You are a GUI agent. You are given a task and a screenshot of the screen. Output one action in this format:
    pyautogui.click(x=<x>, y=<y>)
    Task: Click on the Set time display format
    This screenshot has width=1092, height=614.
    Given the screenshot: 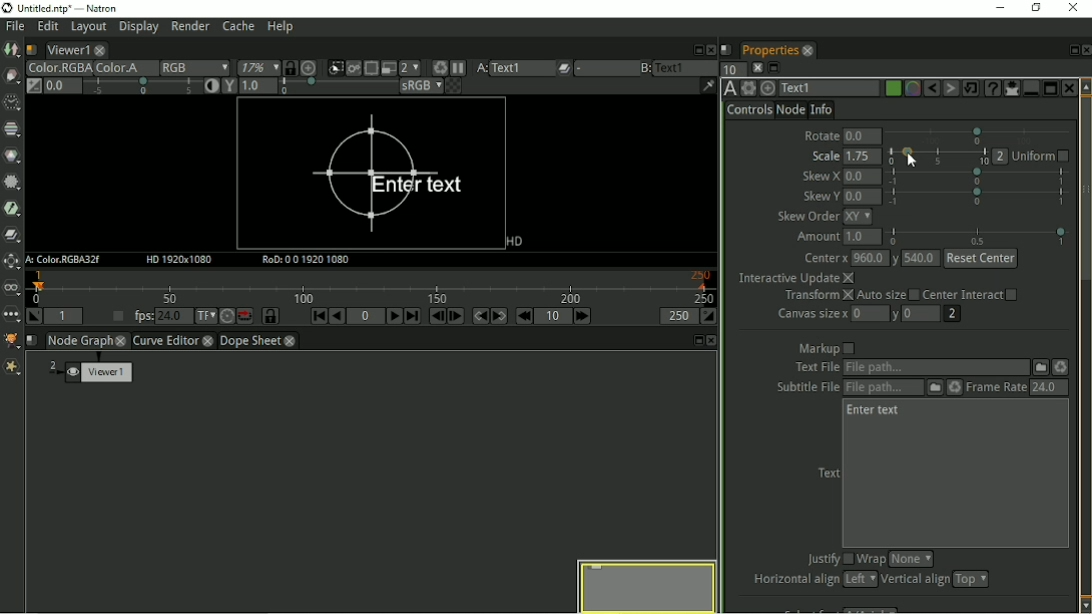 What is the action you would take?
    pyautogui.click(x=204, y=317)
    